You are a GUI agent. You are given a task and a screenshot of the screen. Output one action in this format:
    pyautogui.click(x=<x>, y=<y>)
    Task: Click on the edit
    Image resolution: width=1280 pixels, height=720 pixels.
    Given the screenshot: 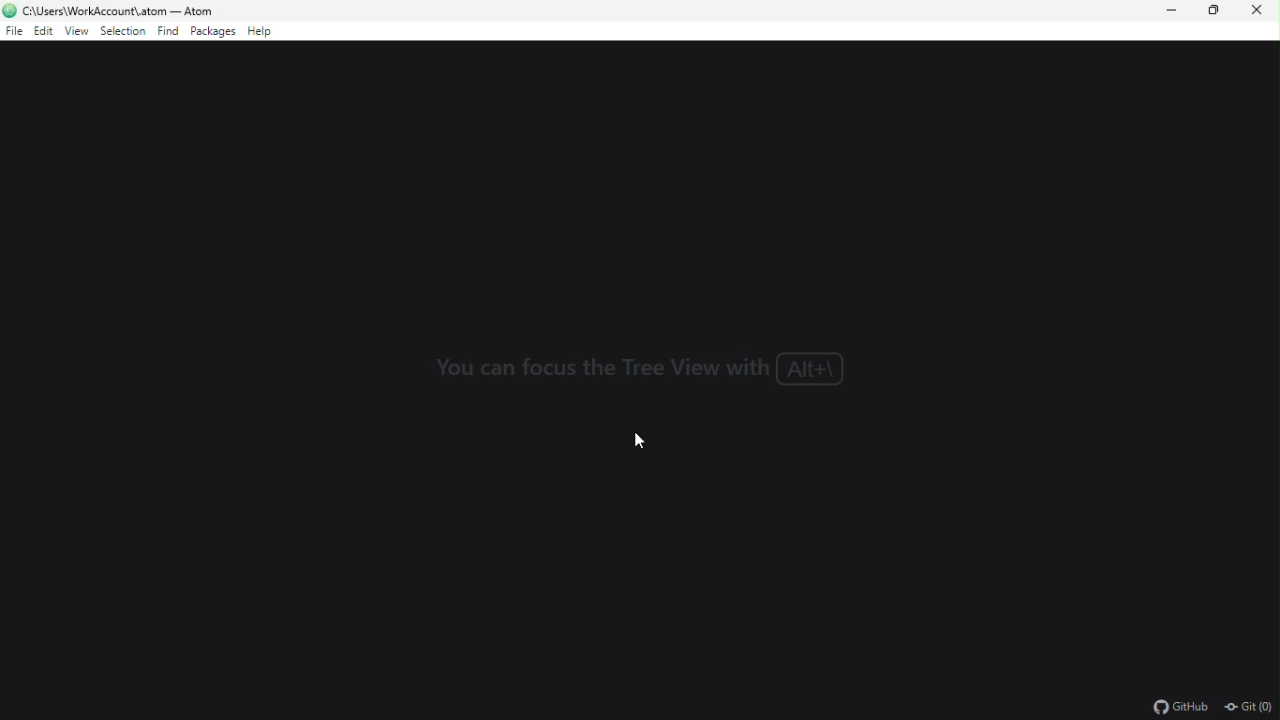 What is the action you would take?
    pyautogui.click(x=44, y=32)
    